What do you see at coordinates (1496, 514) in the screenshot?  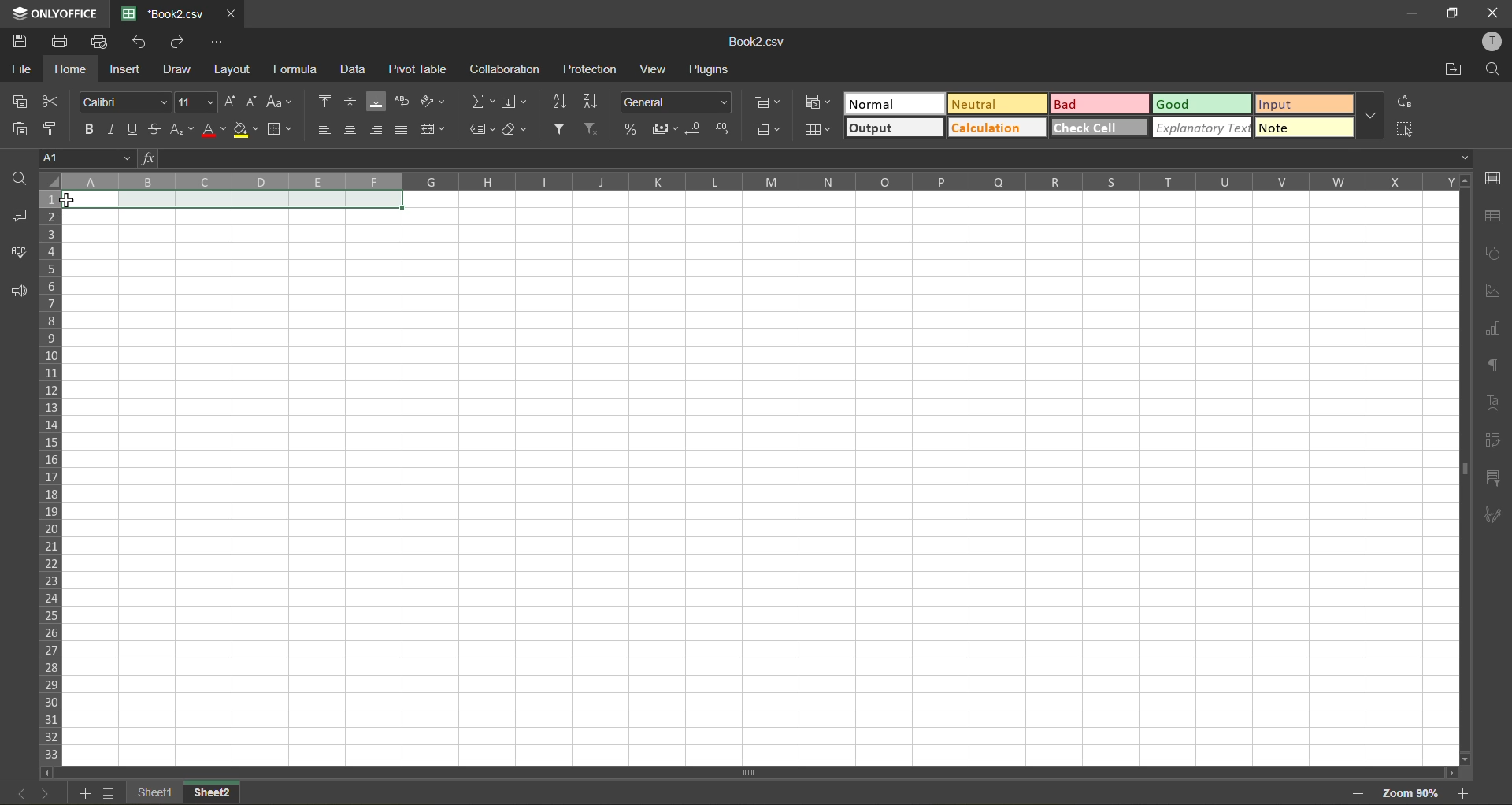 I see `signature` at bounding box center [1496, 514].